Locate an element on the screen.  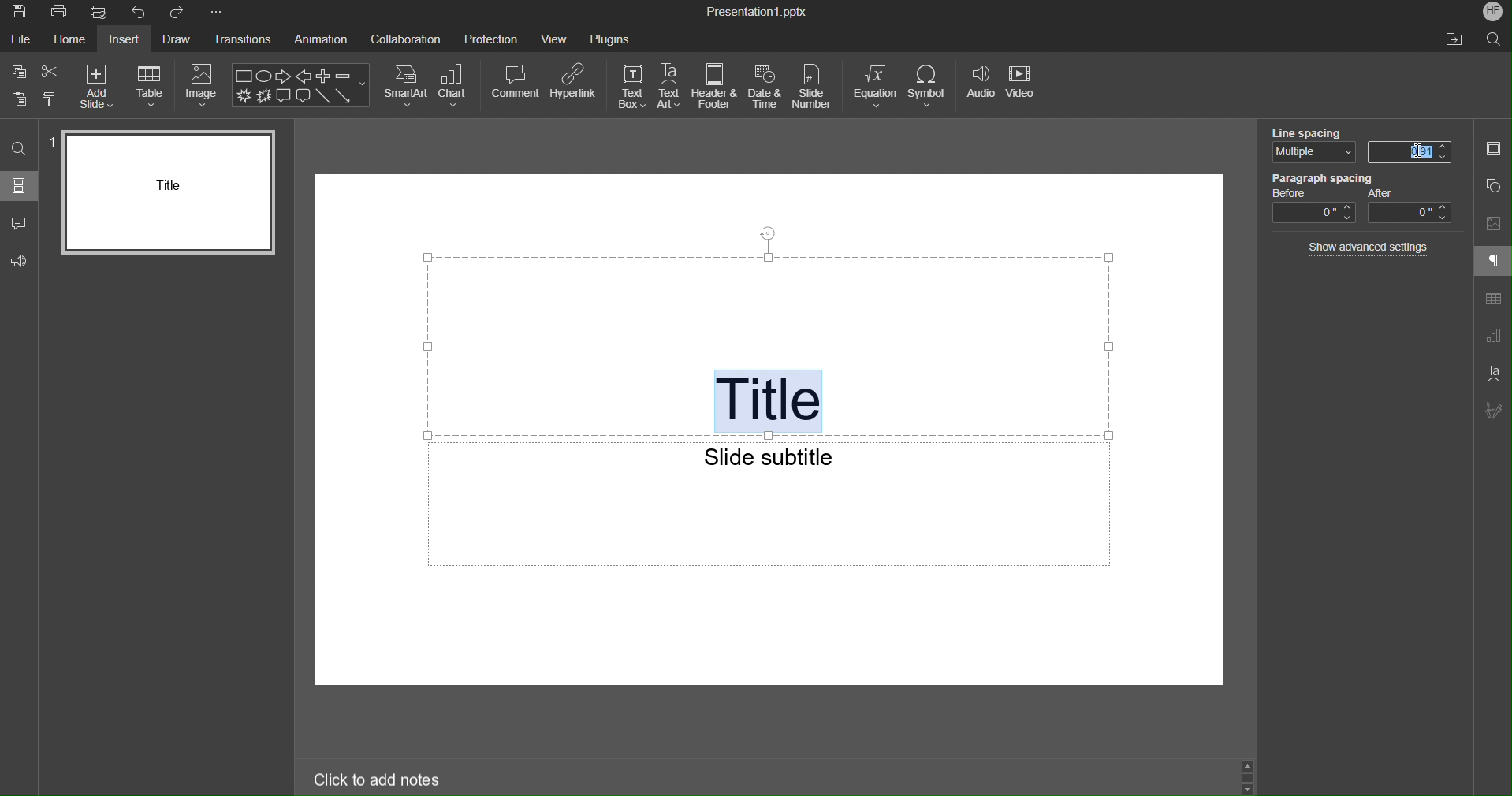
Slide Settings is located at coordinates (1493, 151).